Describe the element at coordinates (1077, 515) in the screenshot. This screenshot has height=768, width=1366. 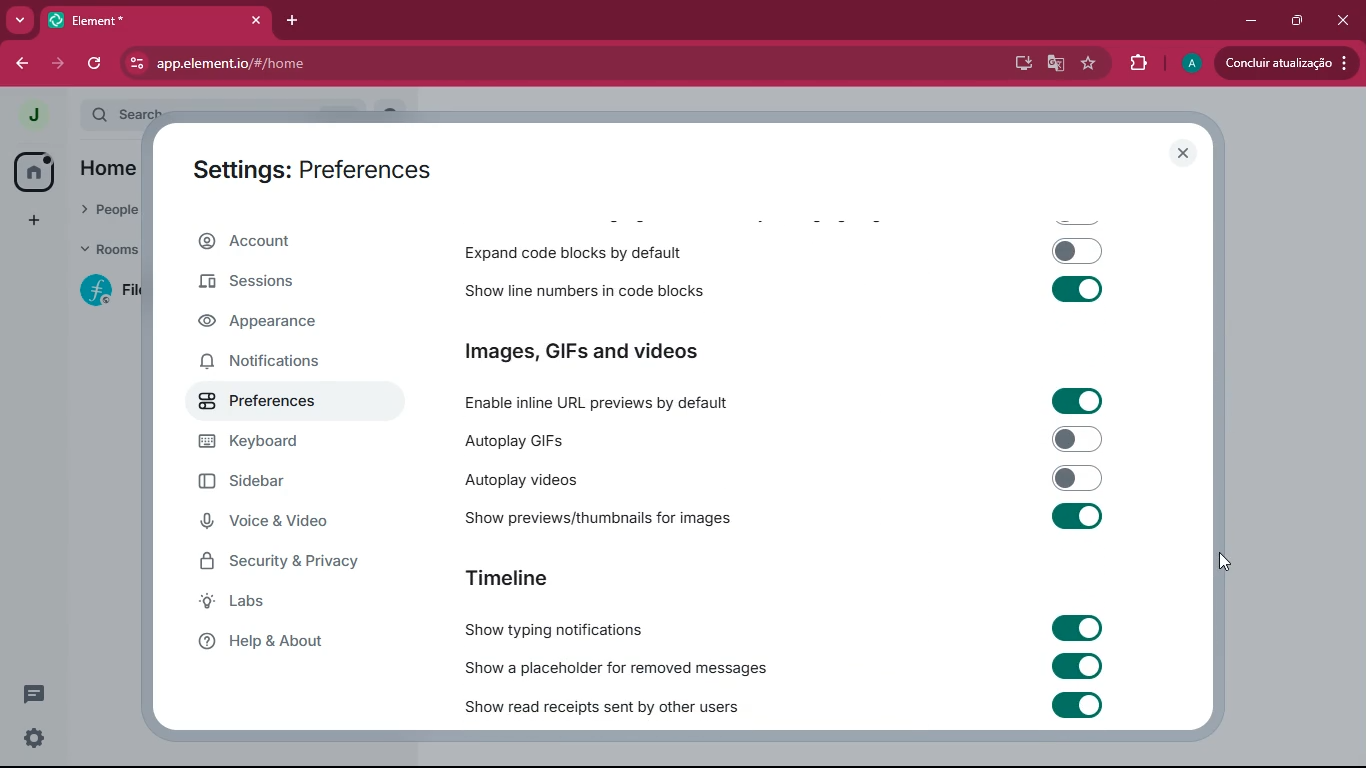
I see `toggle on/off` at that location.